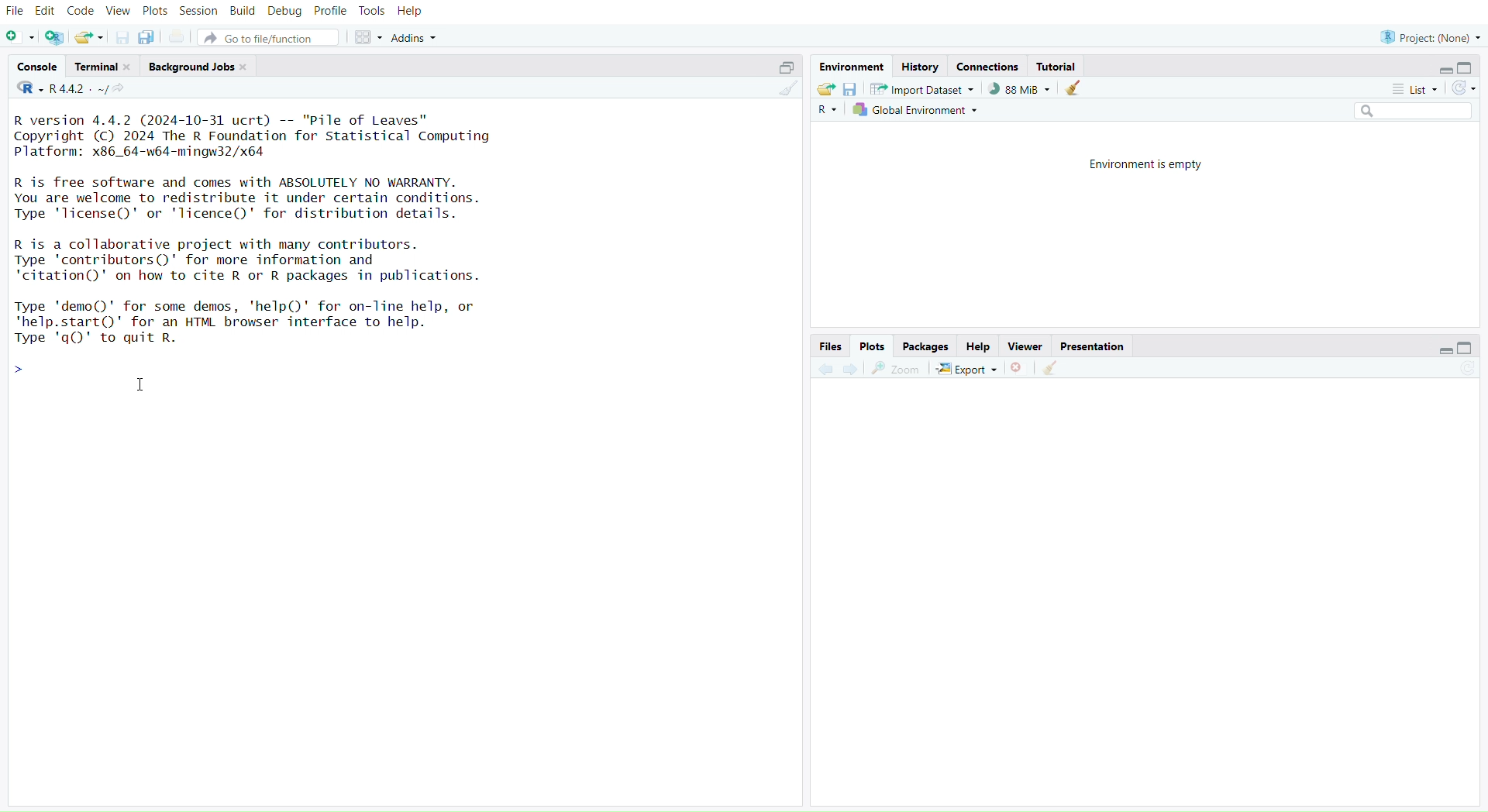 The image size is (1488, 812). I want to click on edit, so click(48, 10).